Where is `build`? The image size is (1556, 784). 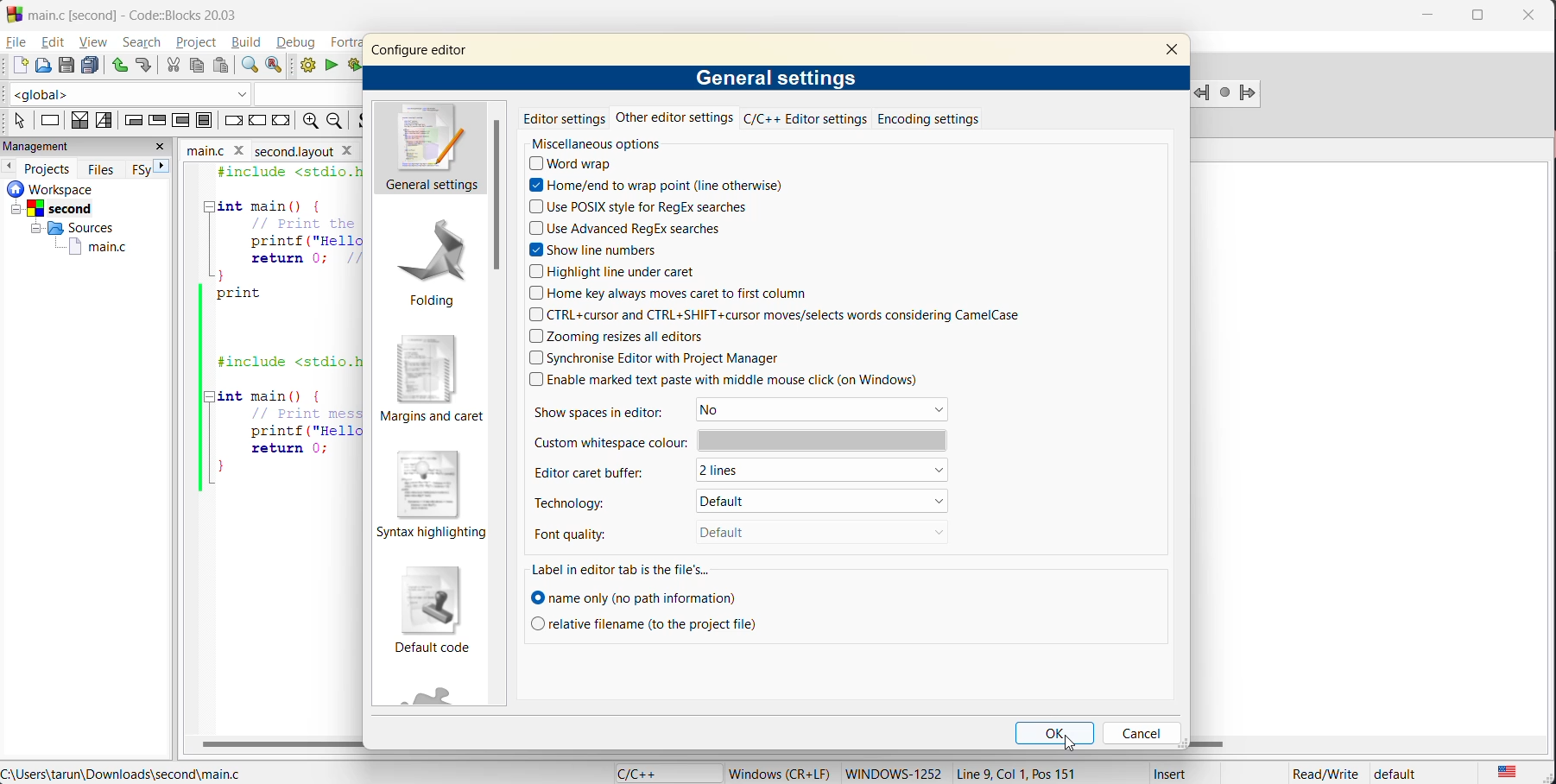
build is located at coordinates (249, 42).